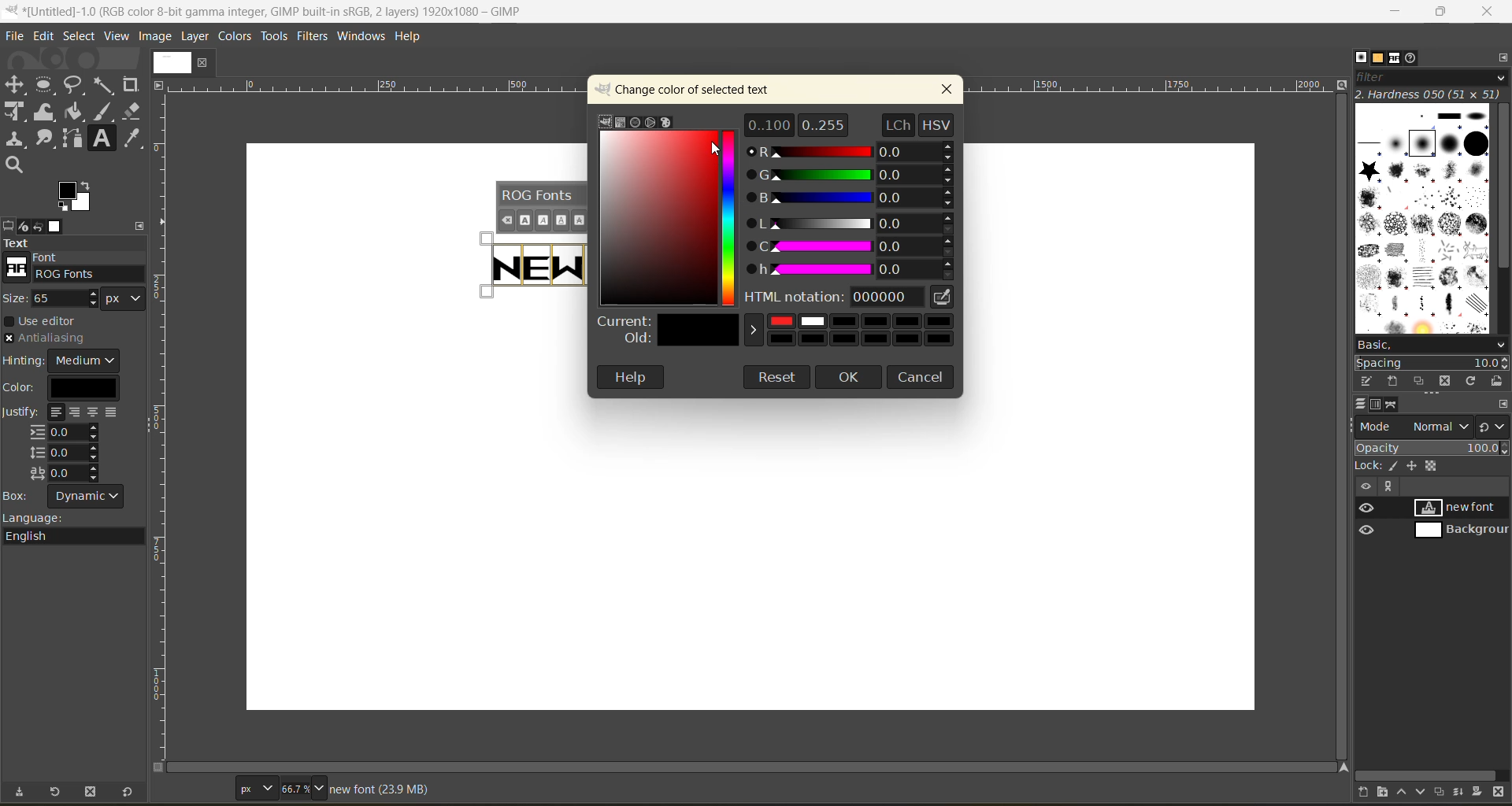  What do you see at coordinates (280, 10) in the screenshot?
I see `file name and app name` at bounding box center [280, 10].